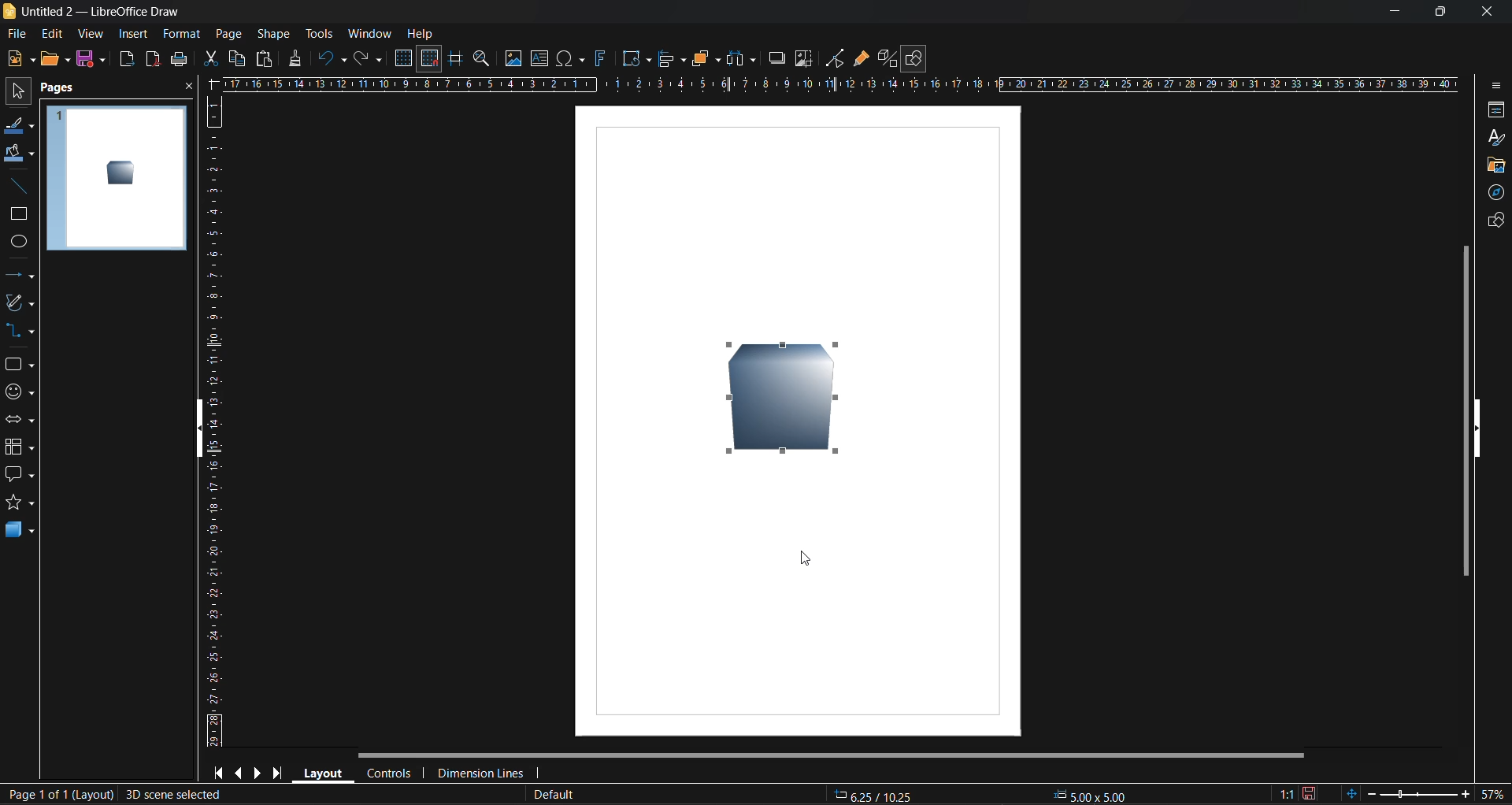  What do you see at coordinates (206, 429) in the screenshot?
I see `hide` at bounding box center [206, 429].